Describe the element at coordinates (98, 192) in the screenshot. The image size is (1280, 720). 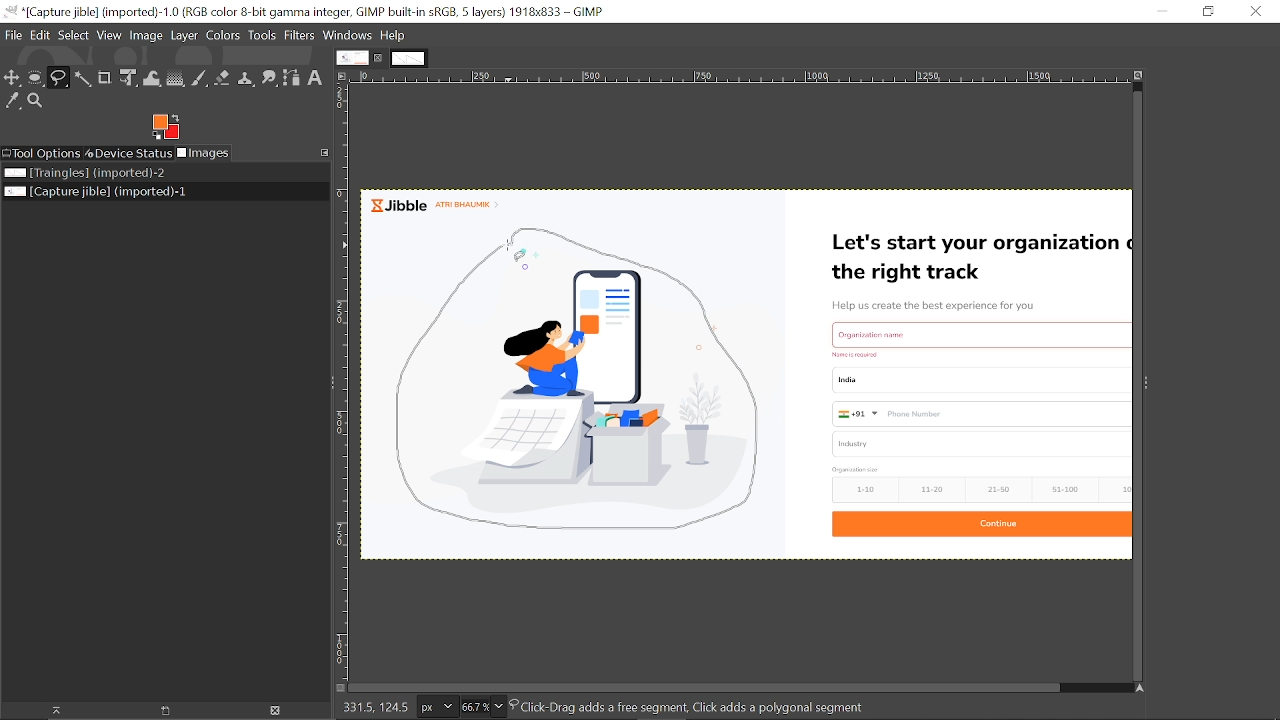
I see `Current image file` at that location.